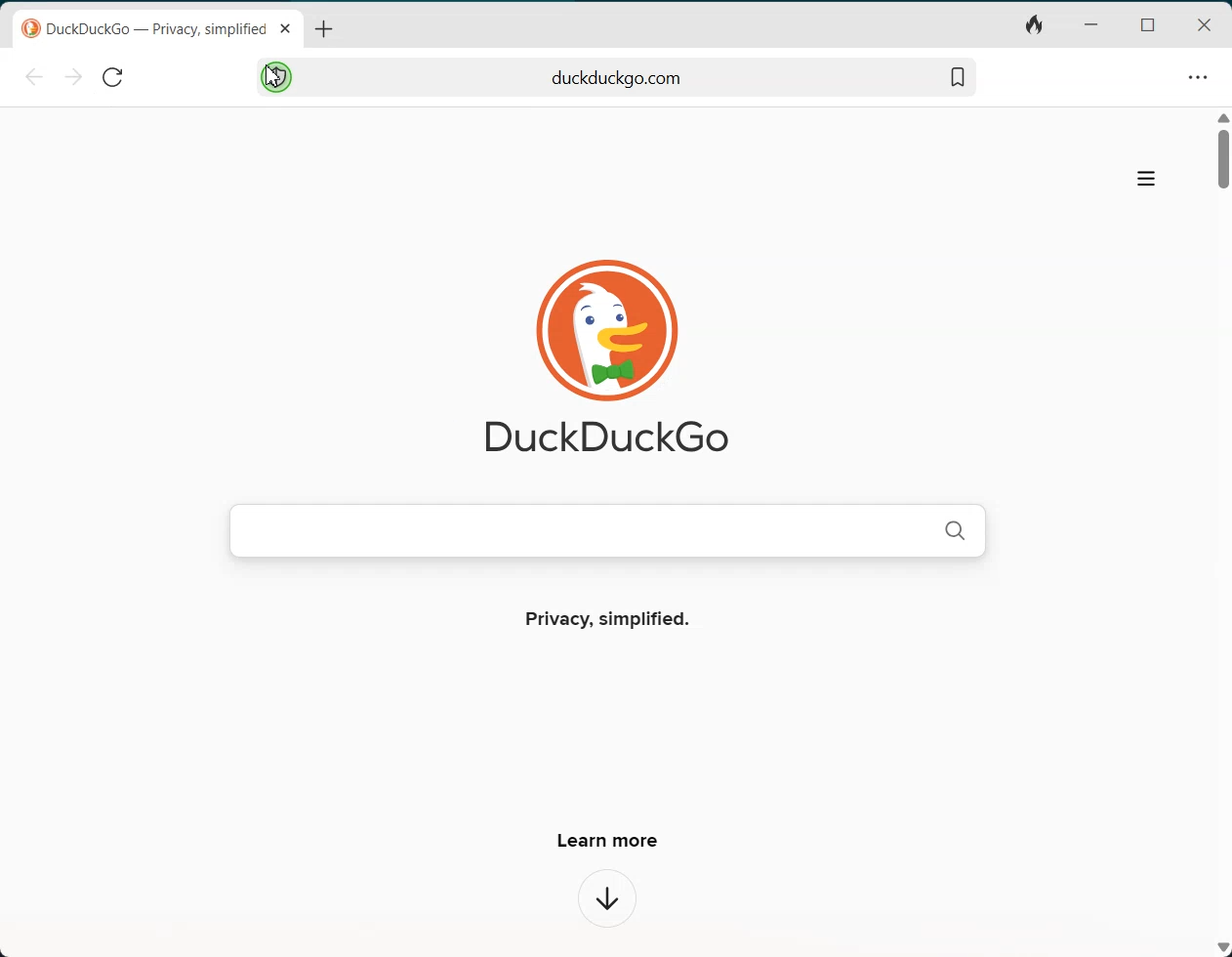 The height and width of the screenshot is (957, 1232). Describe the element at coordinates (37, 77) in the screenshot. I see `Back` at that location.